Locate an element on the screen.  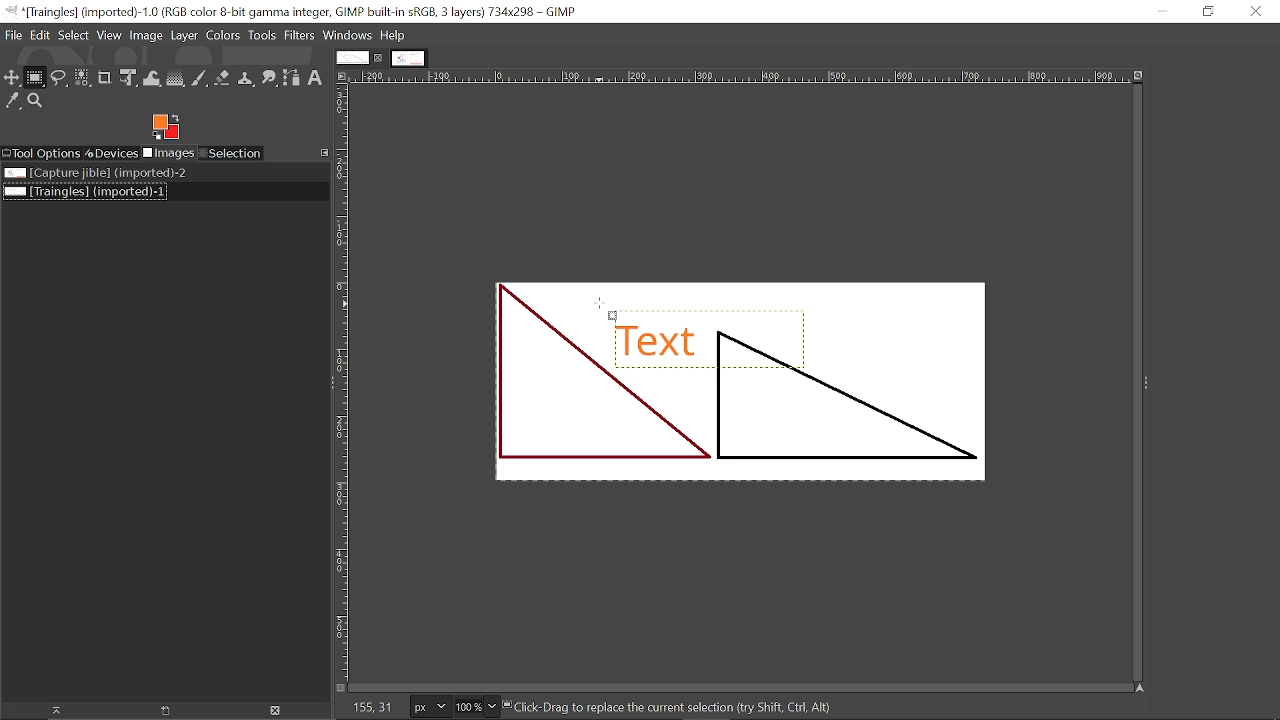
text tool is located at coordinates (316, 79).